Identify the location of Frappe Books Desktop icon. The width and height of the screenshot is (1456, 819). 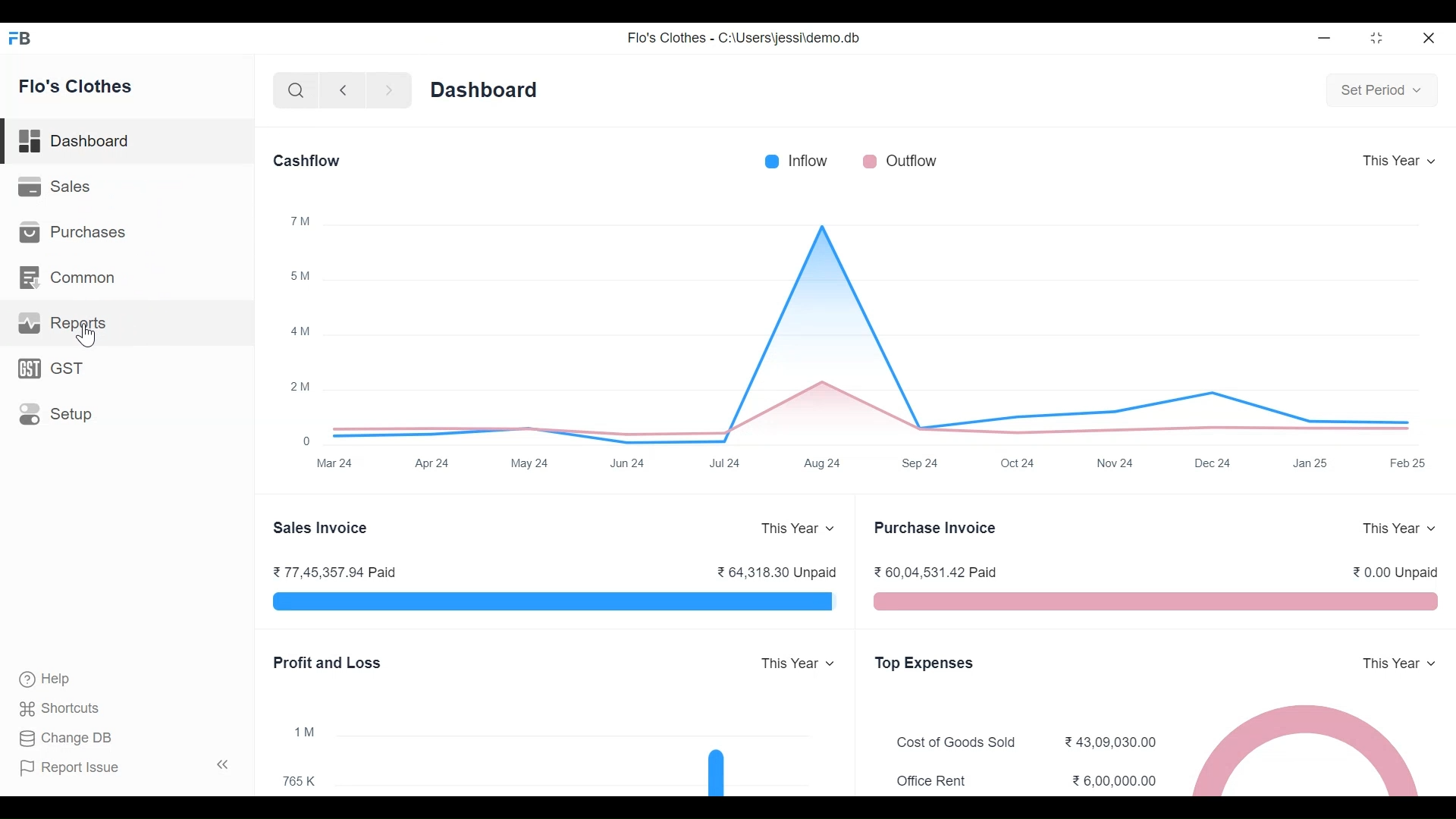
(21, 39).